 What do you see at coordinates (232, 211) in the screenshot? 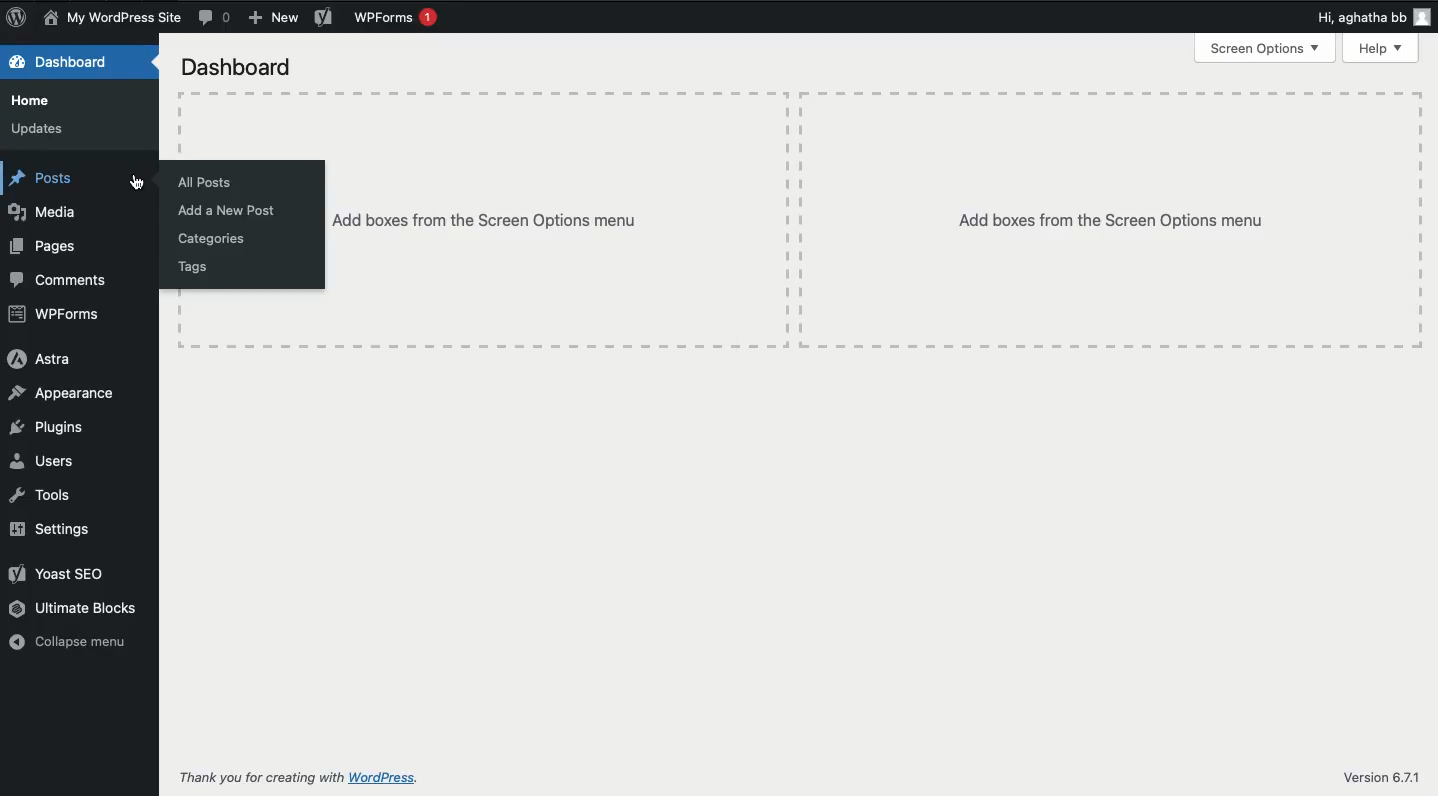
I see `Add a new post` at bounding box center [232, 211].